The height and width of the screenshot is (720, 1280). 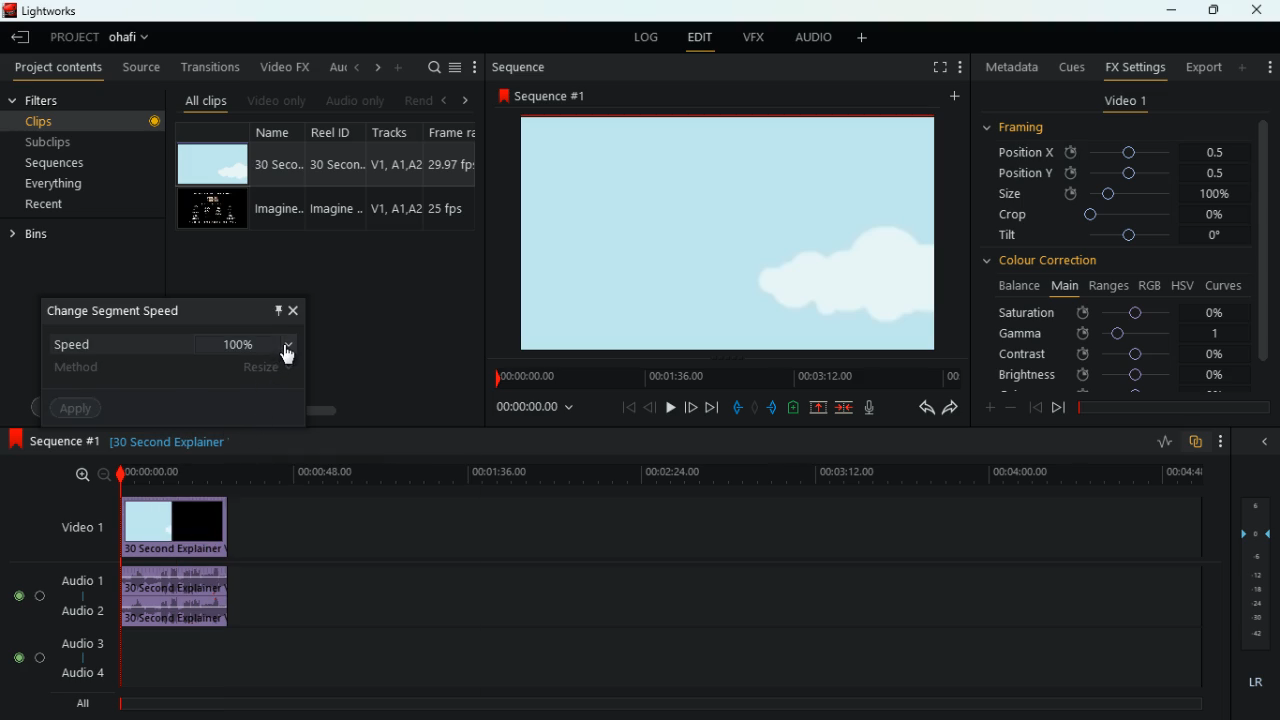 I want to click on search, so click(x=430, y=68).